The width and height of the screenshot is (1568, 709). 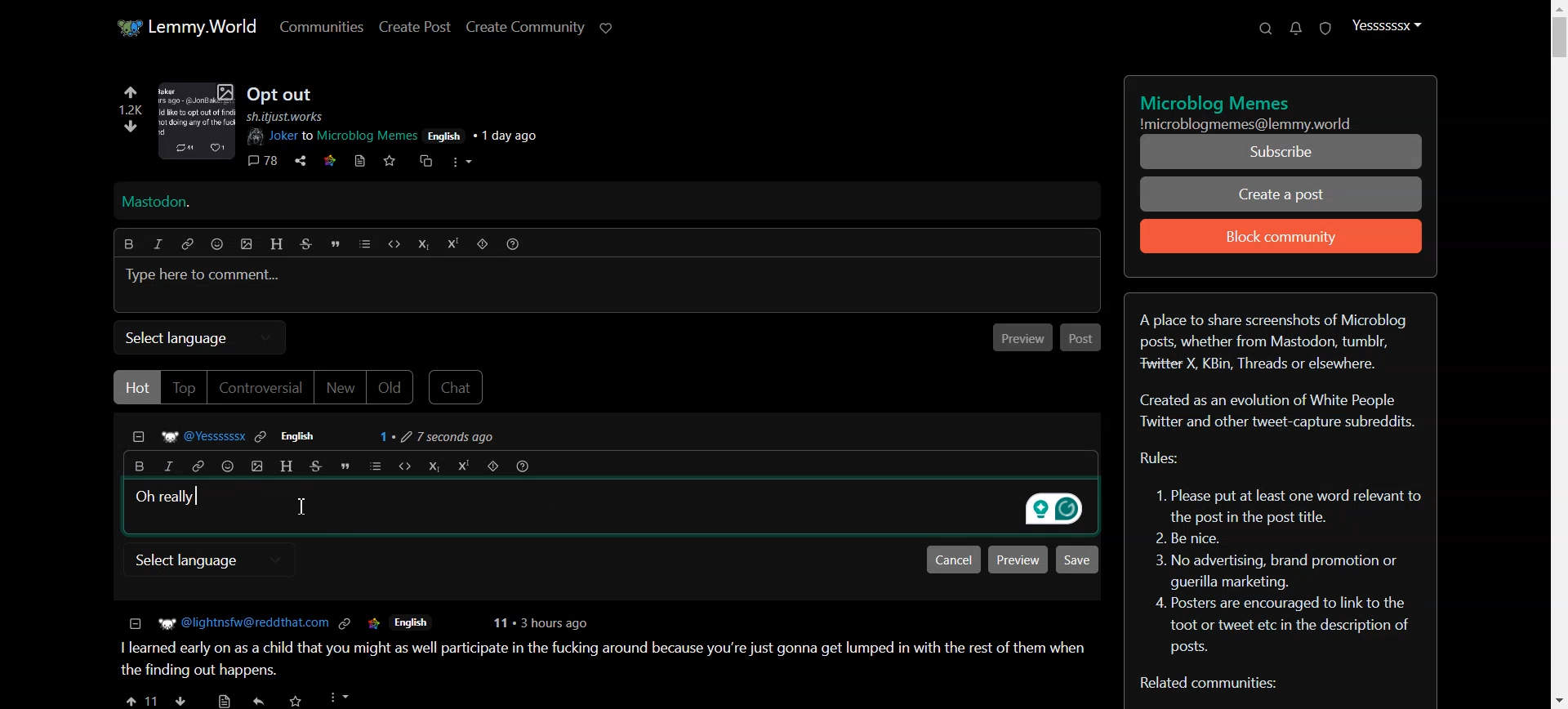 What do you see at coordinates (1018, 559) in the screenshot?
I see `Preview` at bounding box center [1018, 559].